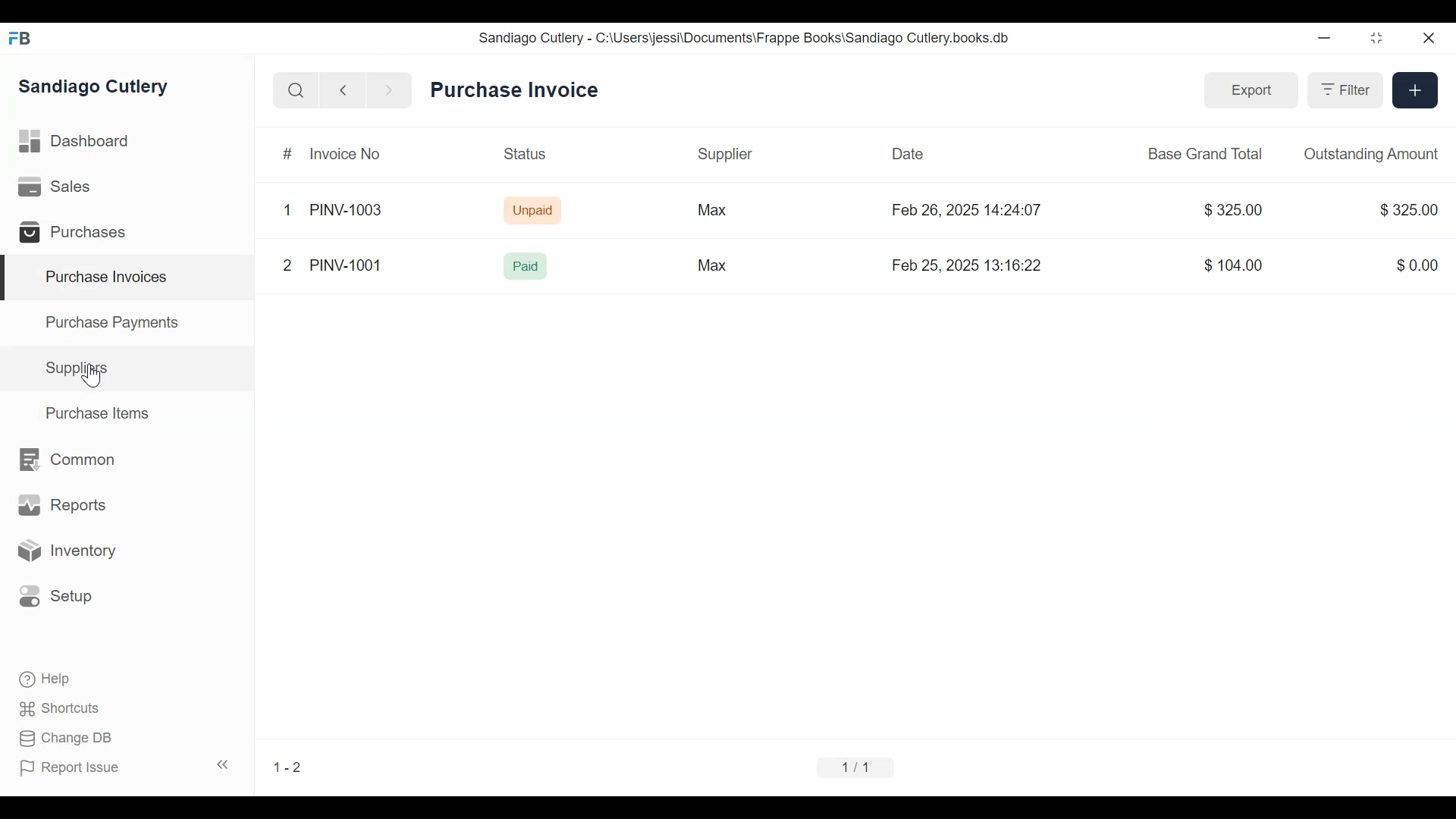 This screenshot has height=819, width=1456. Describe the element at coordinates (1252, 91) in the screenshot. I see `Export` at that location.